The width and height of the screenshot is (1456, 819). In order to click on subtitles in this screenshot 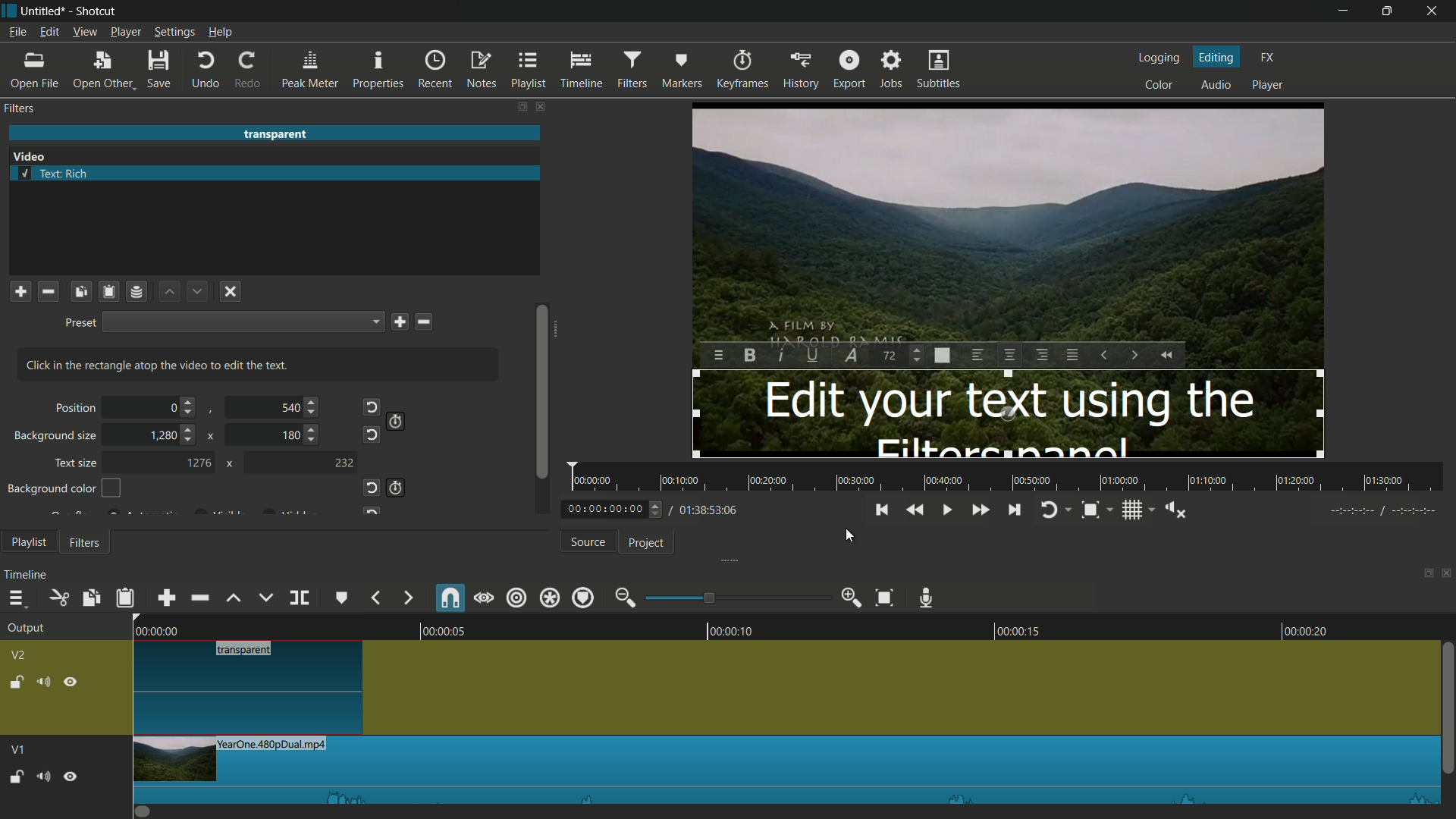, I will do `click(940, 71)`.